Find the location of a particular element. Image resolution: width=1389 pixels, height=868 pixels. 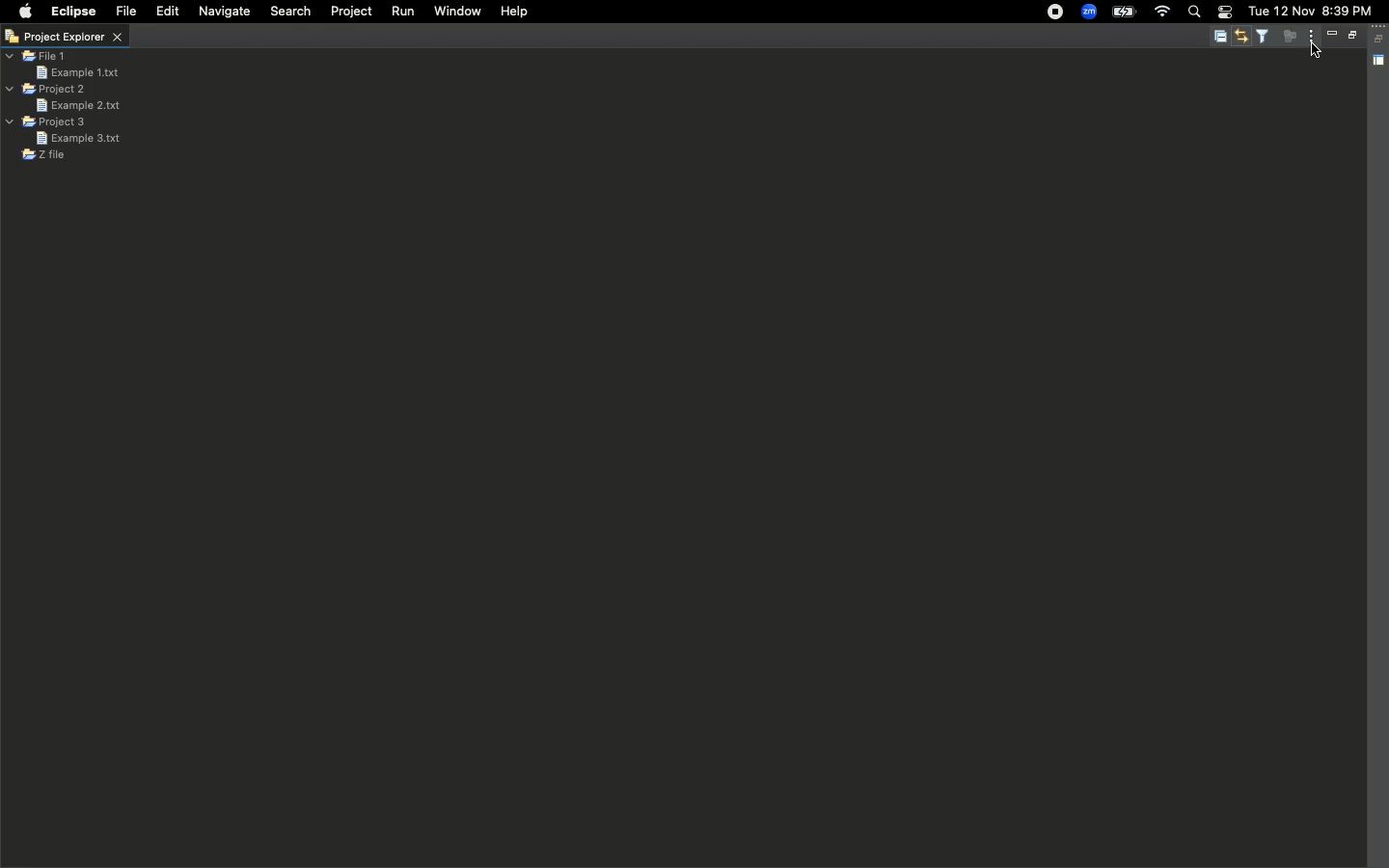

Z file is located at coordinates (43, 155).